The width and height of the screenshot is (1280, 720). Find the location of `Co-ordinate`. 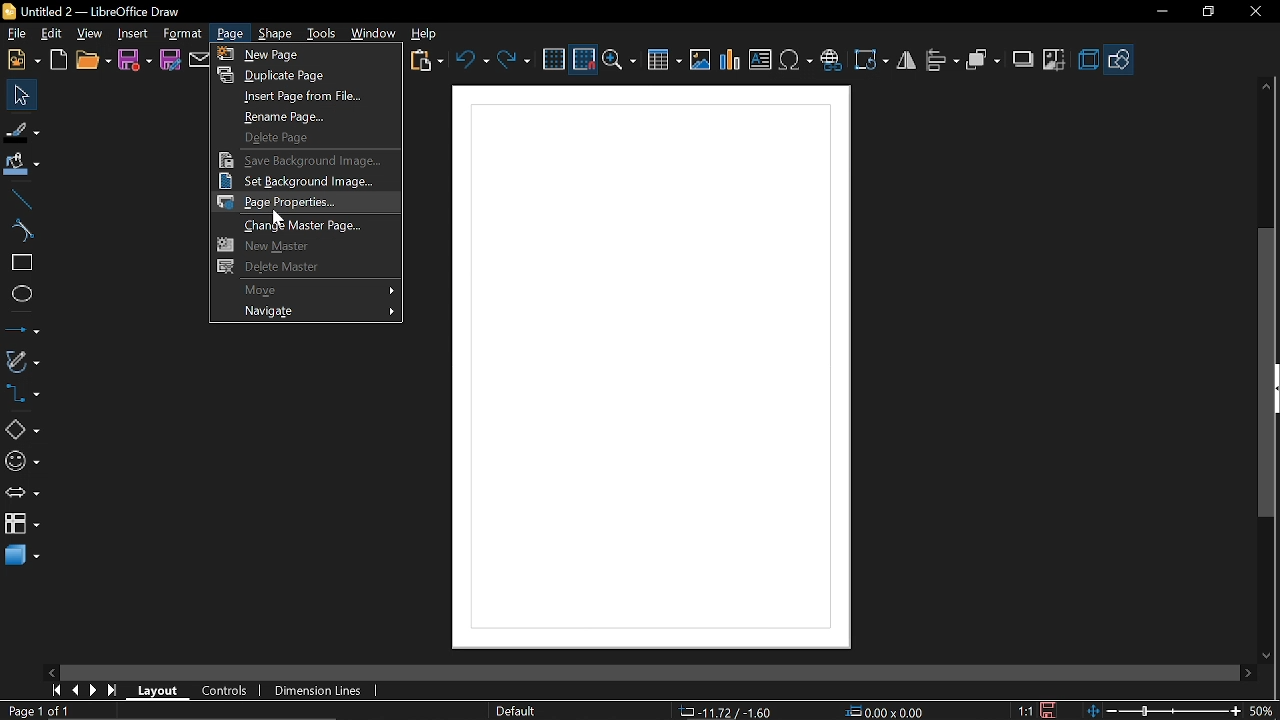

Co-ordinate is located at coordinates (725, 711).